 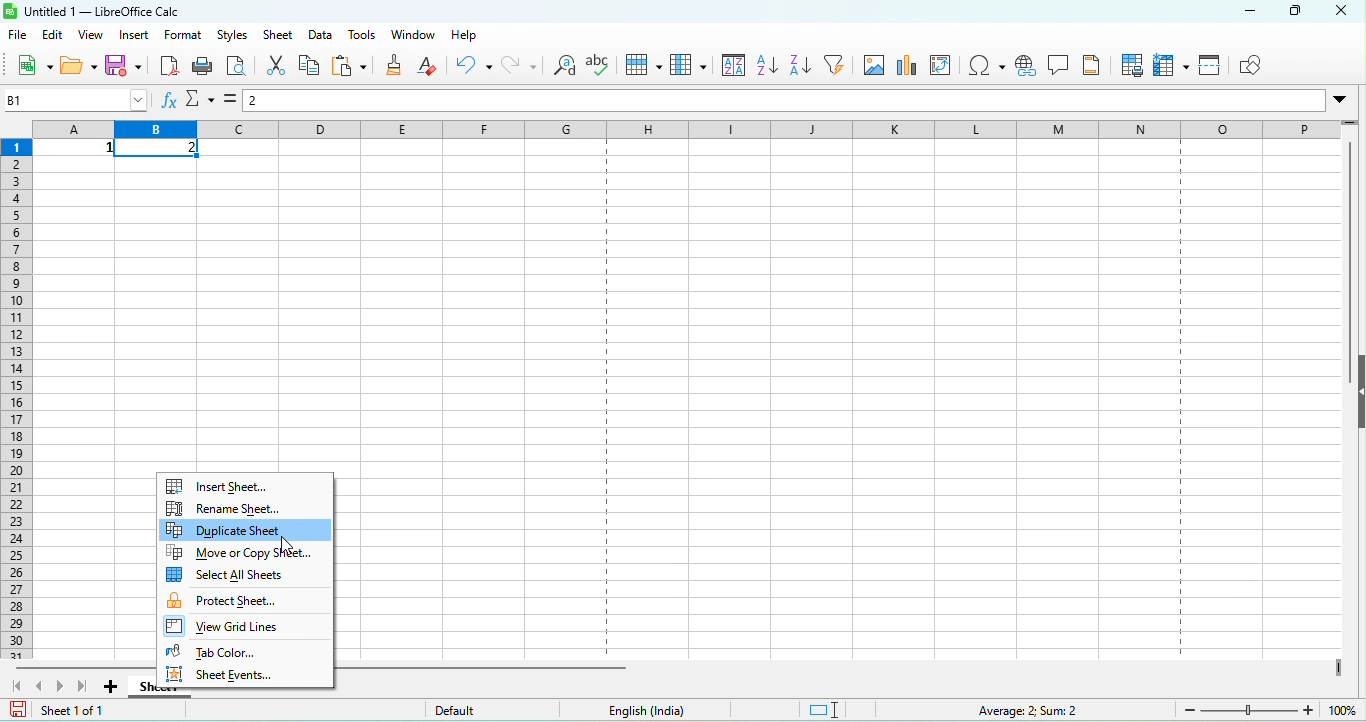 What do you see at coordinates (1356, 392) in the screenshot?
I see `height` at bounding box center [1356, 392].